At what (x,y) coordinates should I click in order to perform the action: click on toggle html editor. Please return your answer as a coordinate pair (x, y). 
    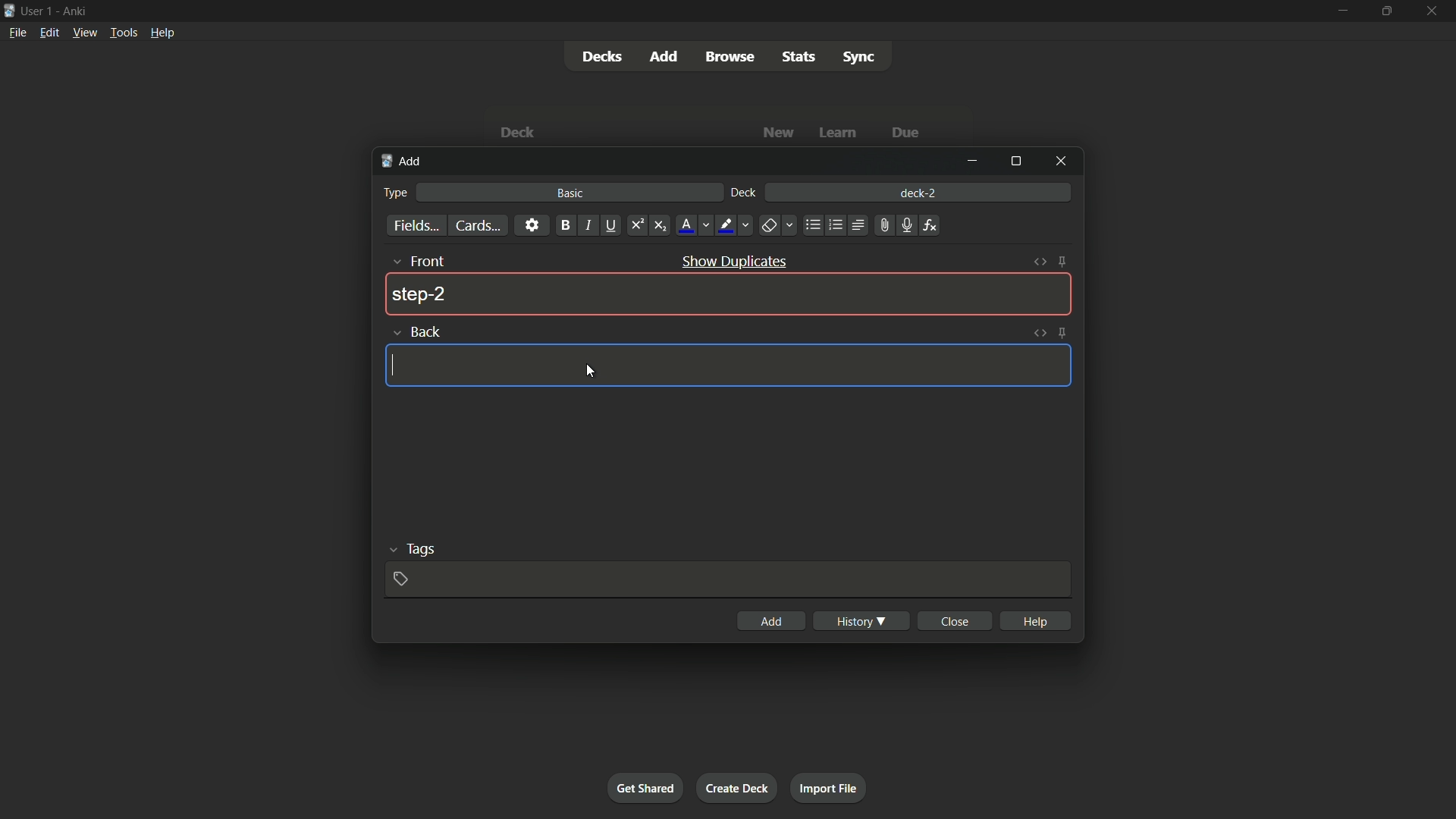
    Looking at the image, I should click on (1040, 331).